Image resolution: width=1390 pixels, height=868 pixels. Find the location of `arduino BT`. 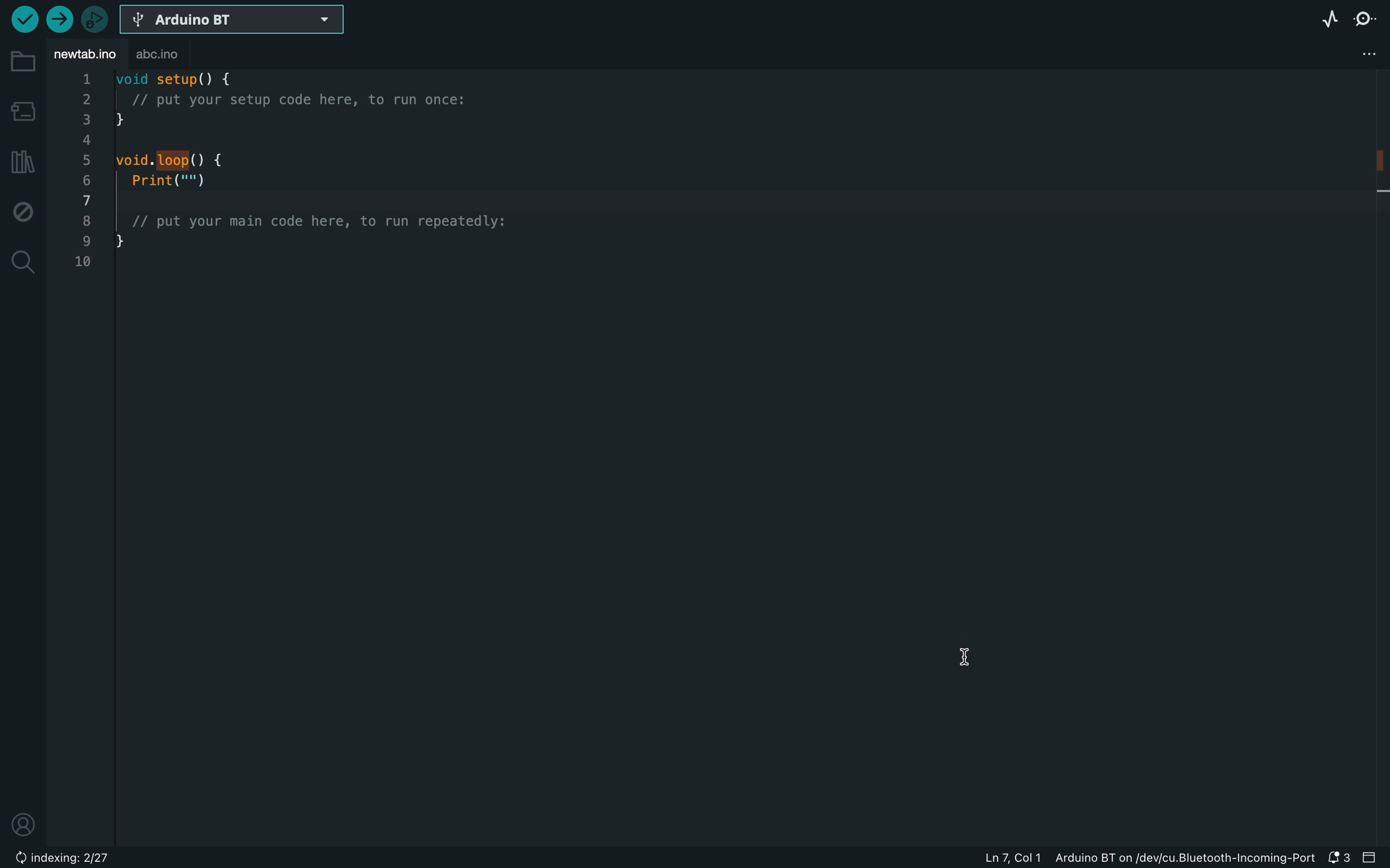

arduino BT is located at coordinates (235, 20).